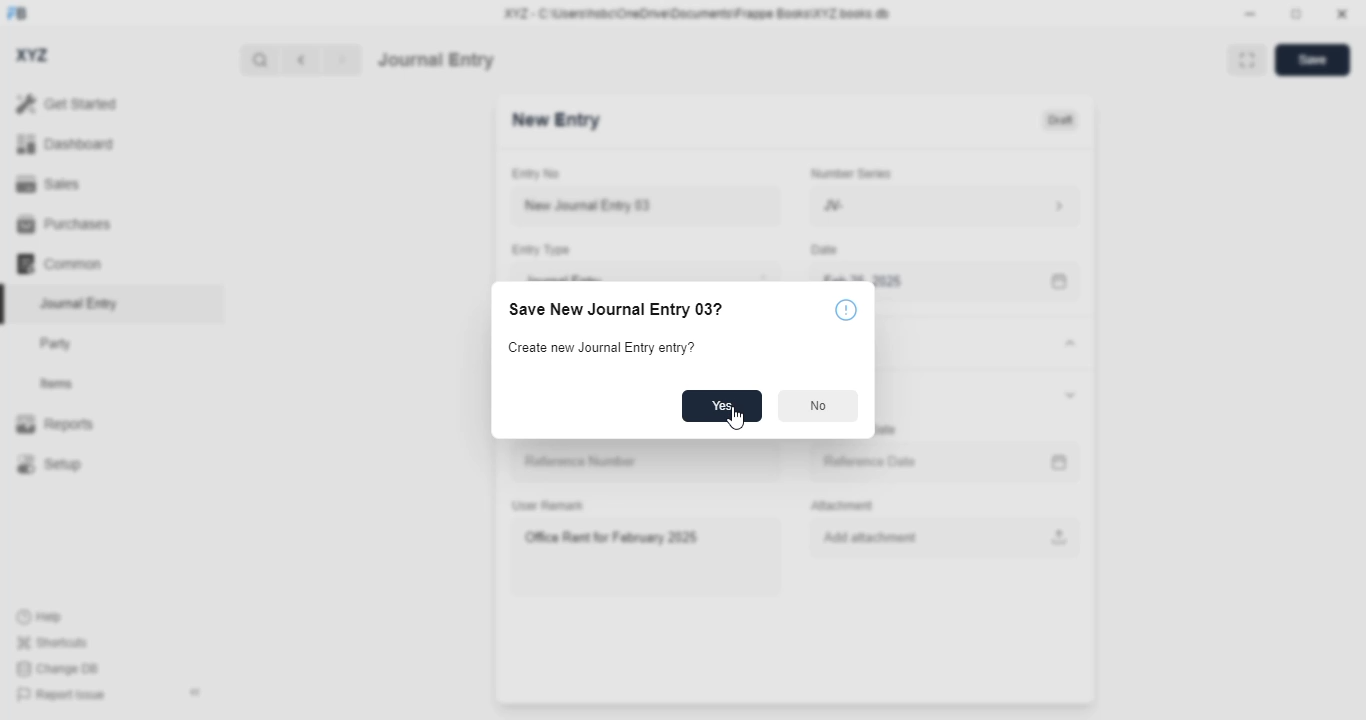  Describe the element at coordinates (1062, 207) in the screenshot. I see `number series information` at that location.